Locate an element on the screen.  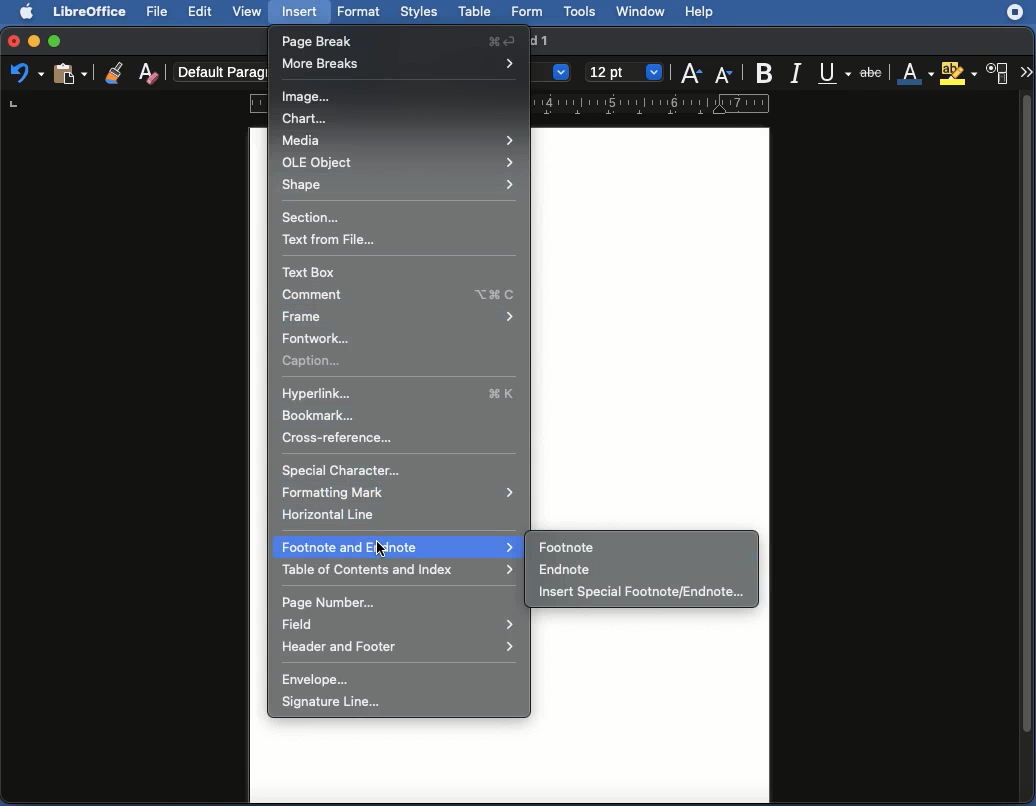
Size is located at coordinates (626, 72).